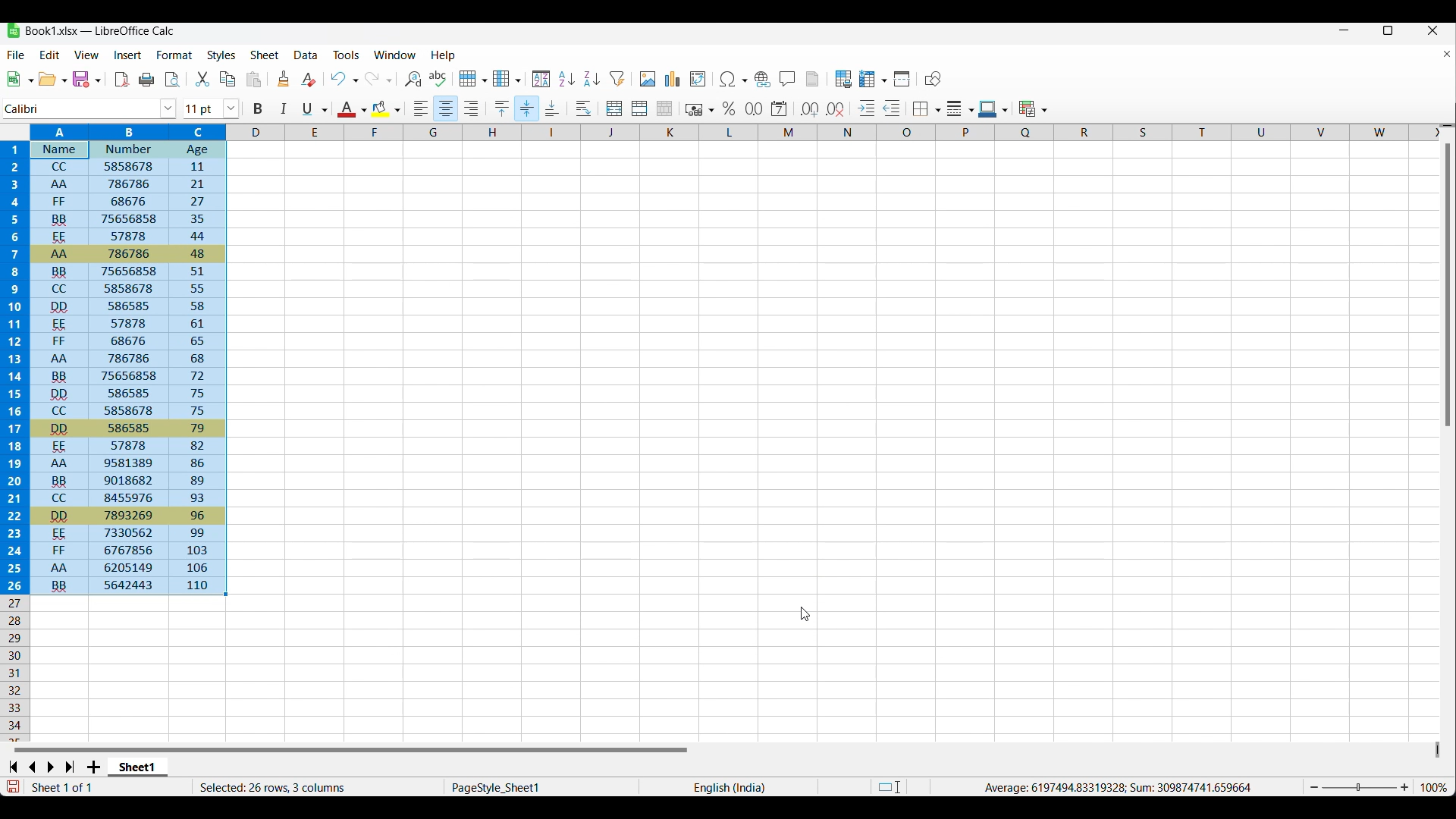 Image resolution: width=1456 pixels, height=819 pixels. I want to click on Zoom in, so click(1404, 787).